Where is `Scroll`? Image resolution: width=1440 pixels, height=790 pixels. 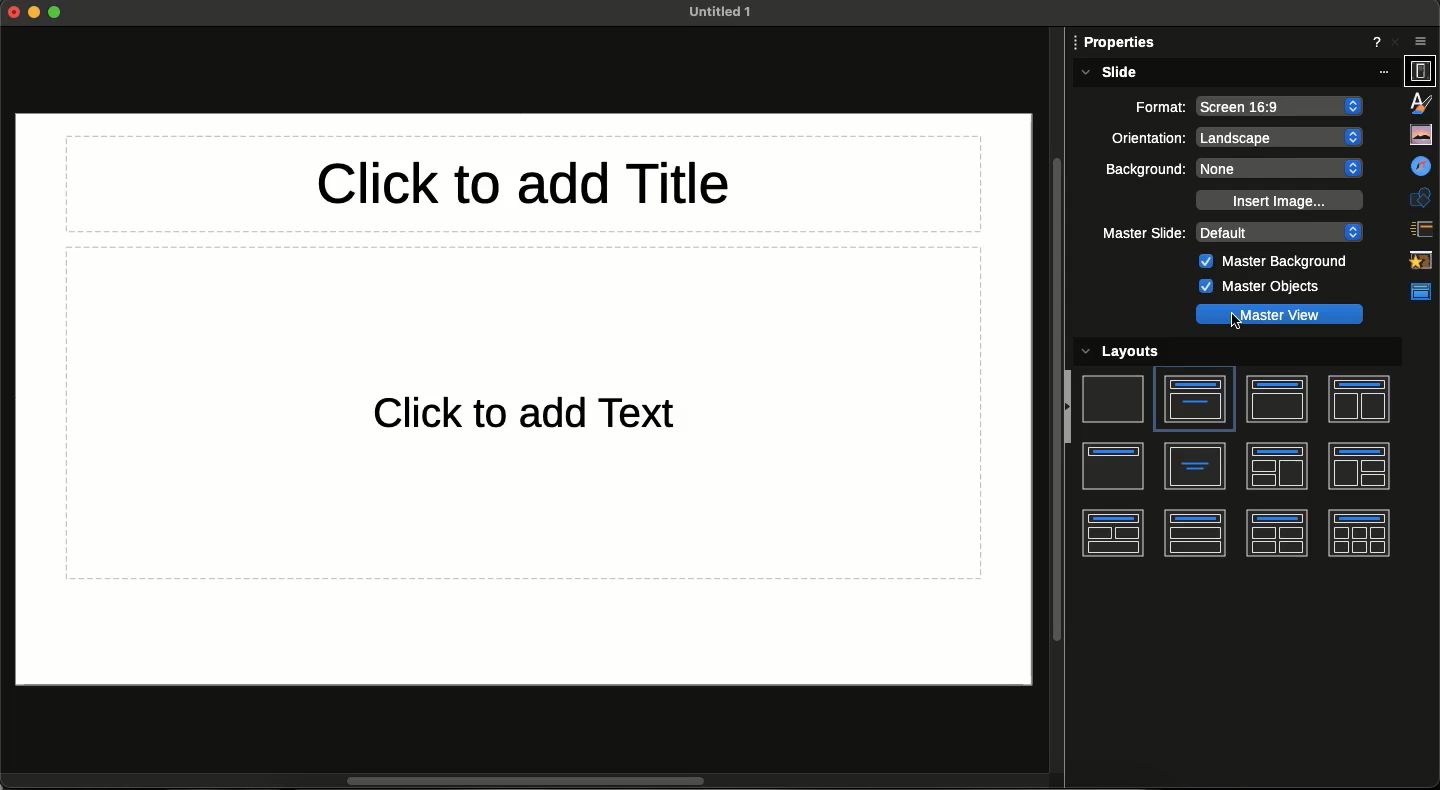
Scroll is located at coordinates (541, 780).